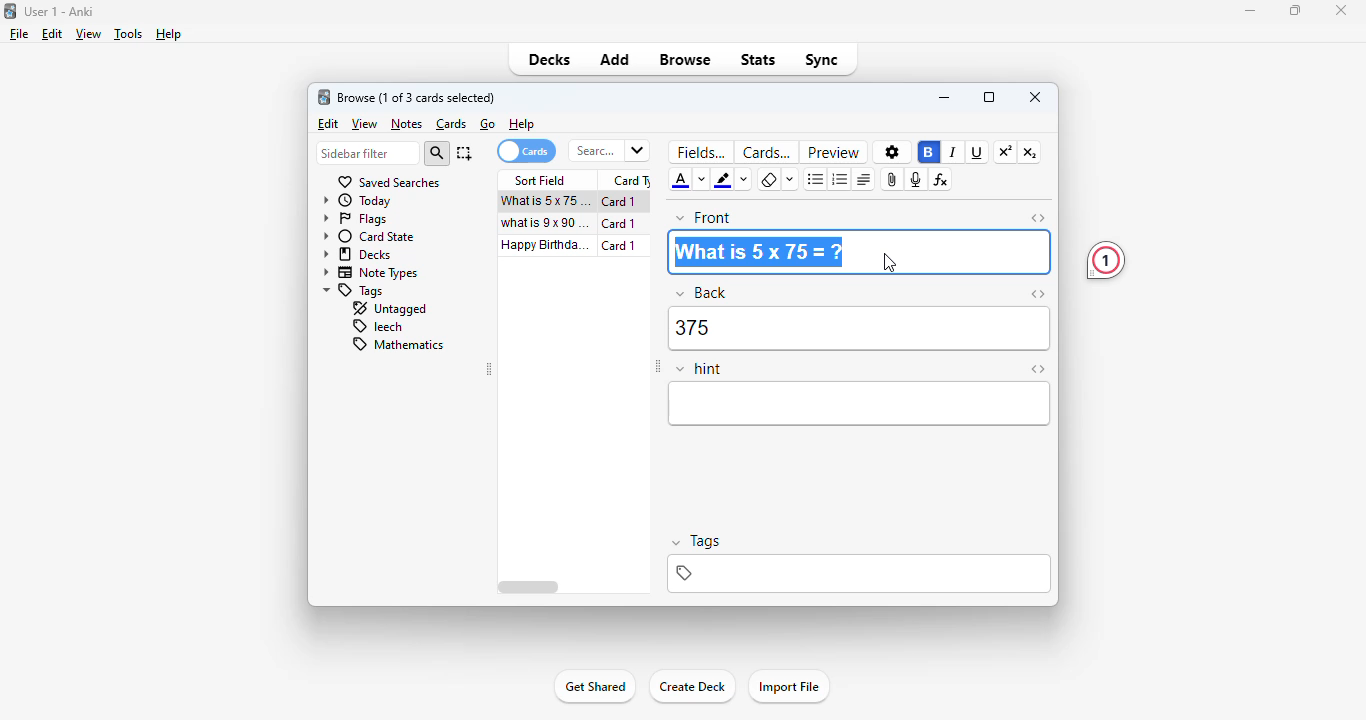  Describe the element at coordinates (365, 124) in the screenshot. I see `view` at that location.